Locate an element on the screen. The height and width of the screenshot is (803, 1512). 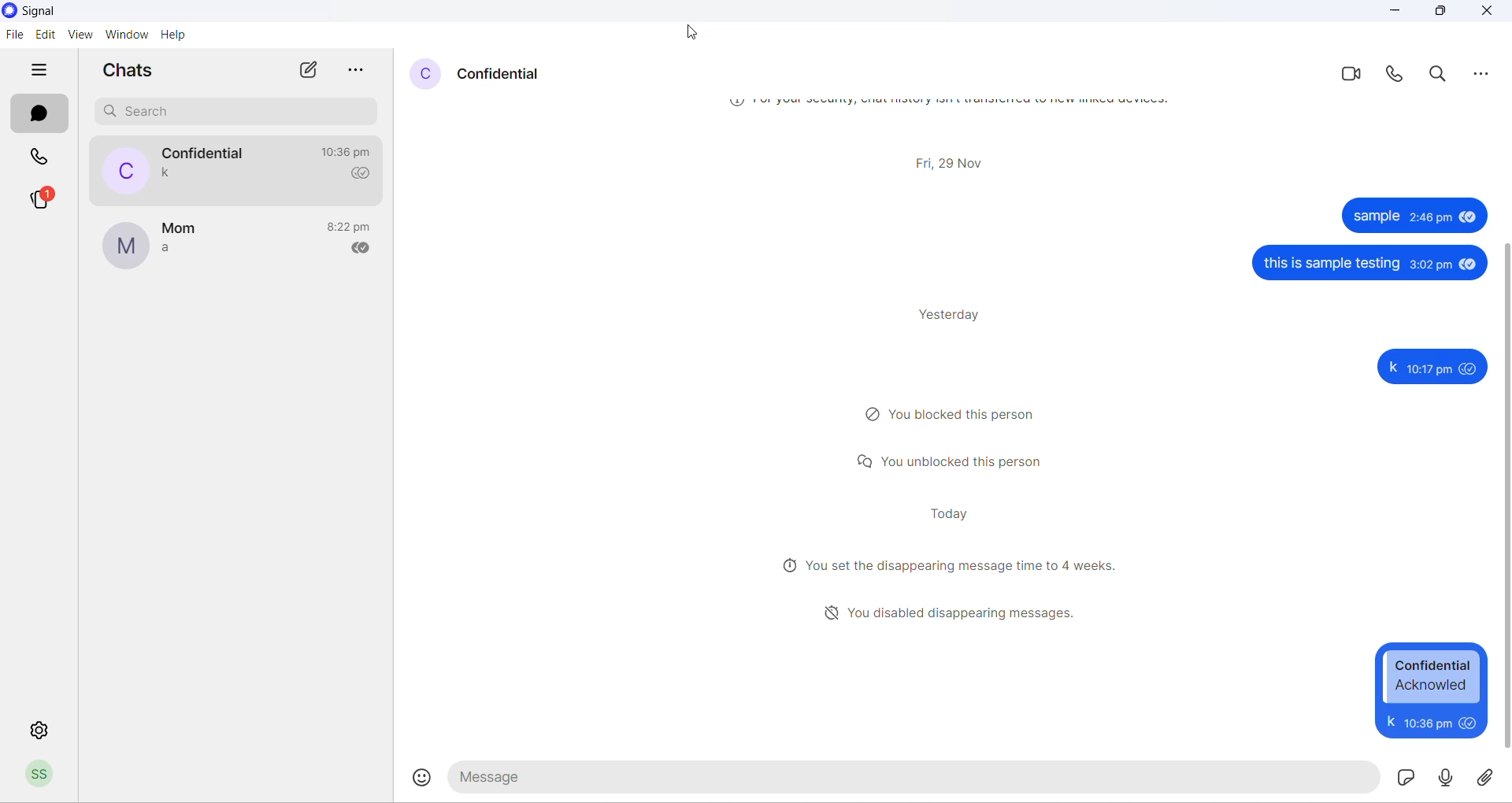
profile picture is located at coordinates (122, 170).